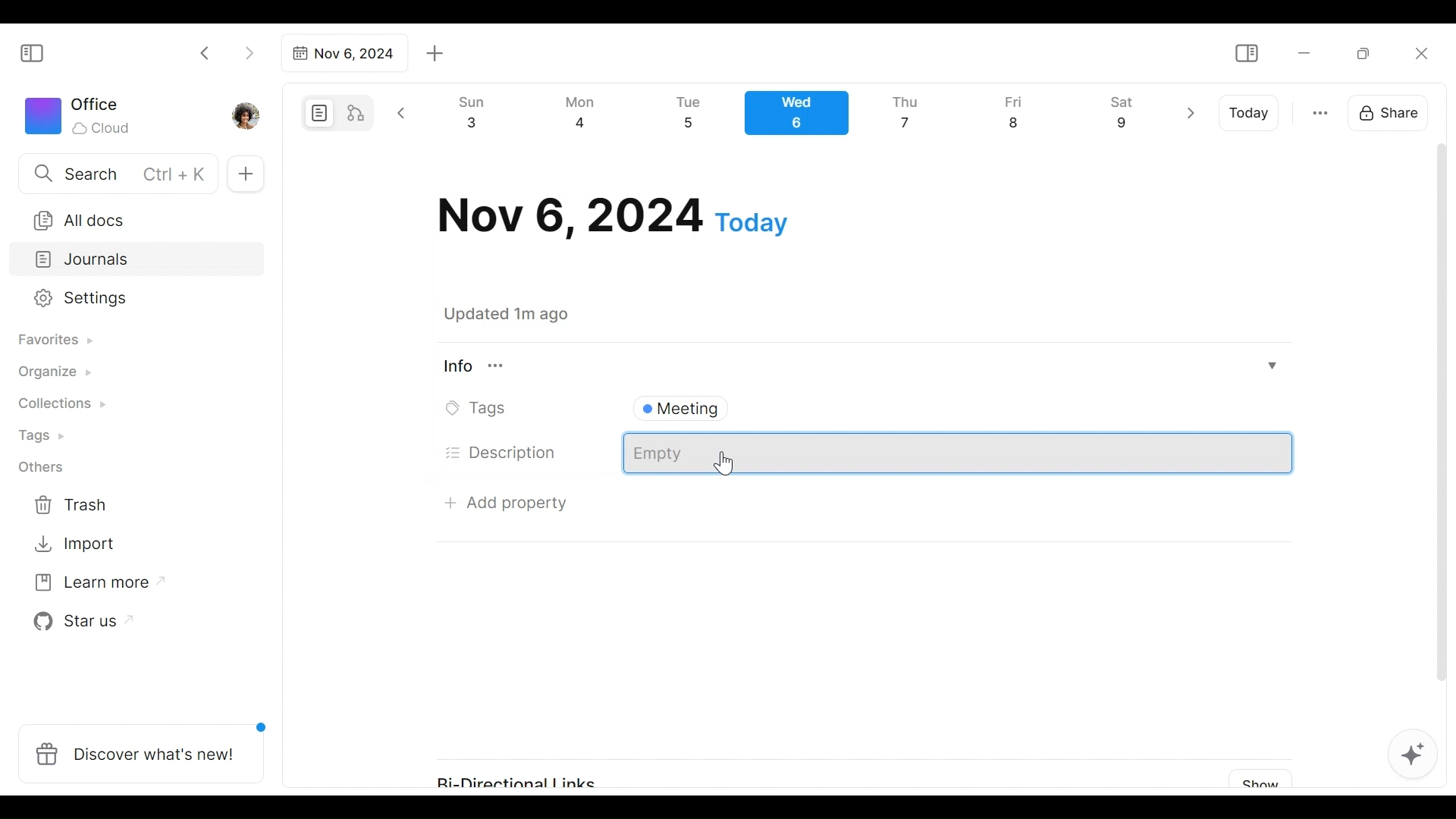  Describe the element at coordinates (247, 112) in the screenshot. I see `Profile photo` at that location.